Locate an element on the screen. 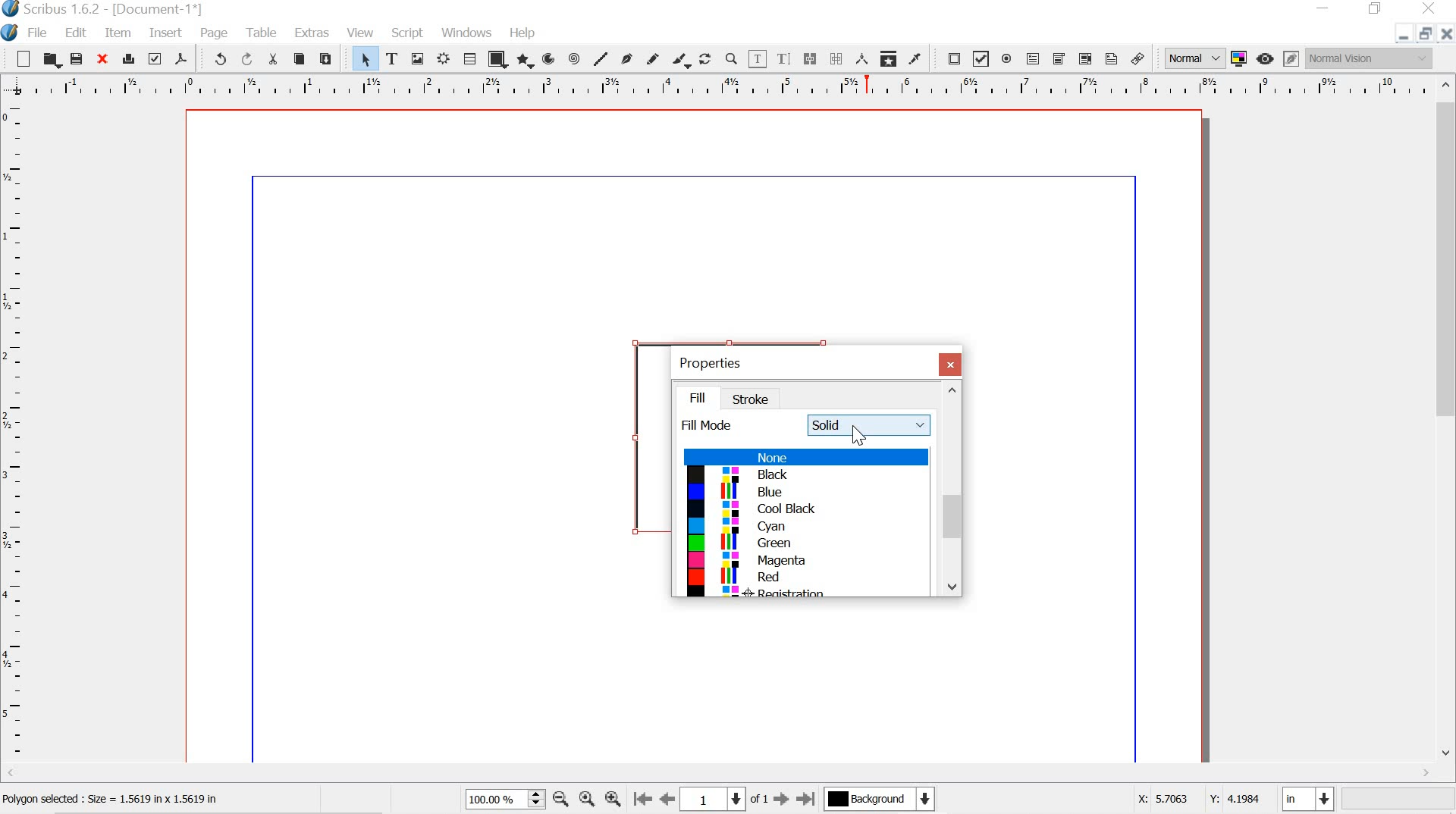 Image resolution: width=1456 pixels, height=814 pixels. item is located at coordinates (118, 33).